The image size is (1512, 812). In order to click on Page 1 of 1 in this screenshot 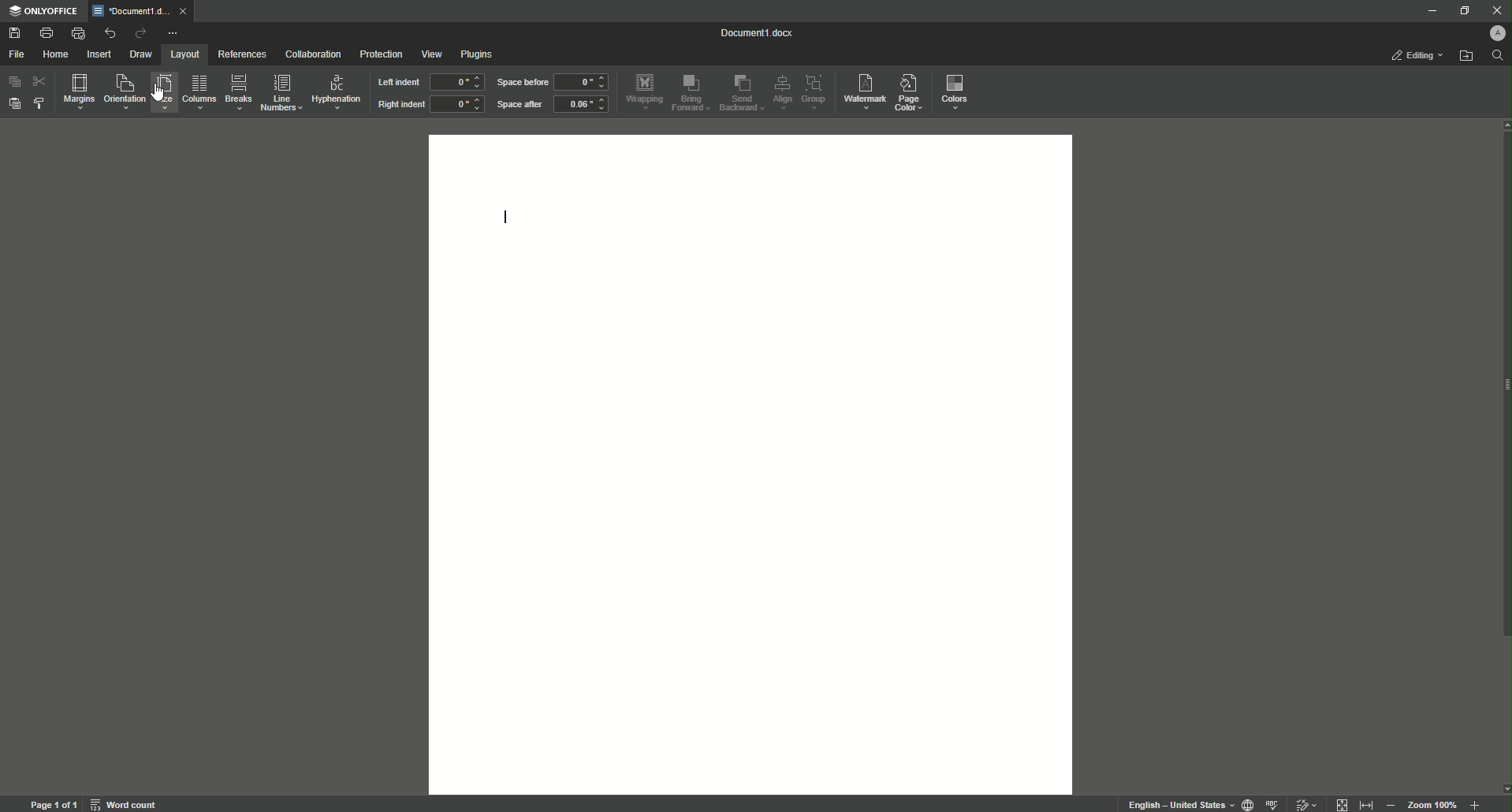, I will do `click(51, 804)`.